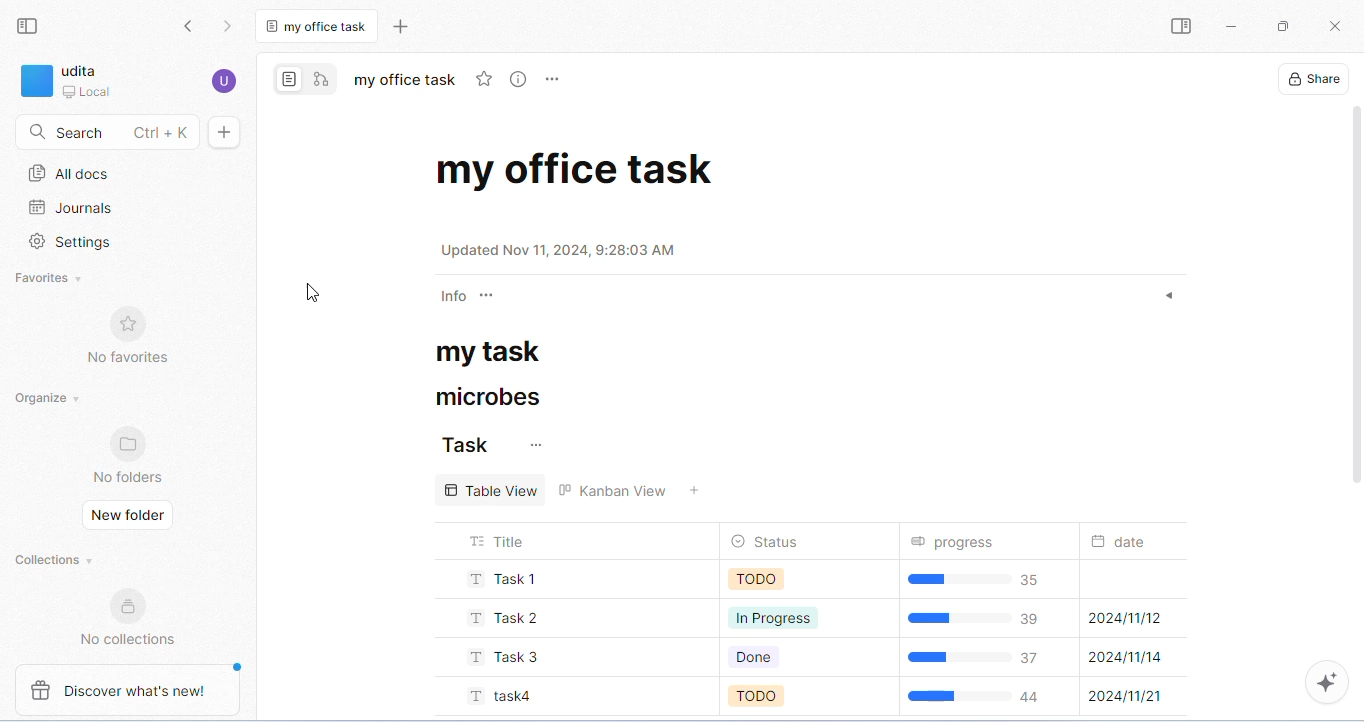 The width and height of the screenshot is (1364, 722). I want to click on progress 39, so click(984, 620).